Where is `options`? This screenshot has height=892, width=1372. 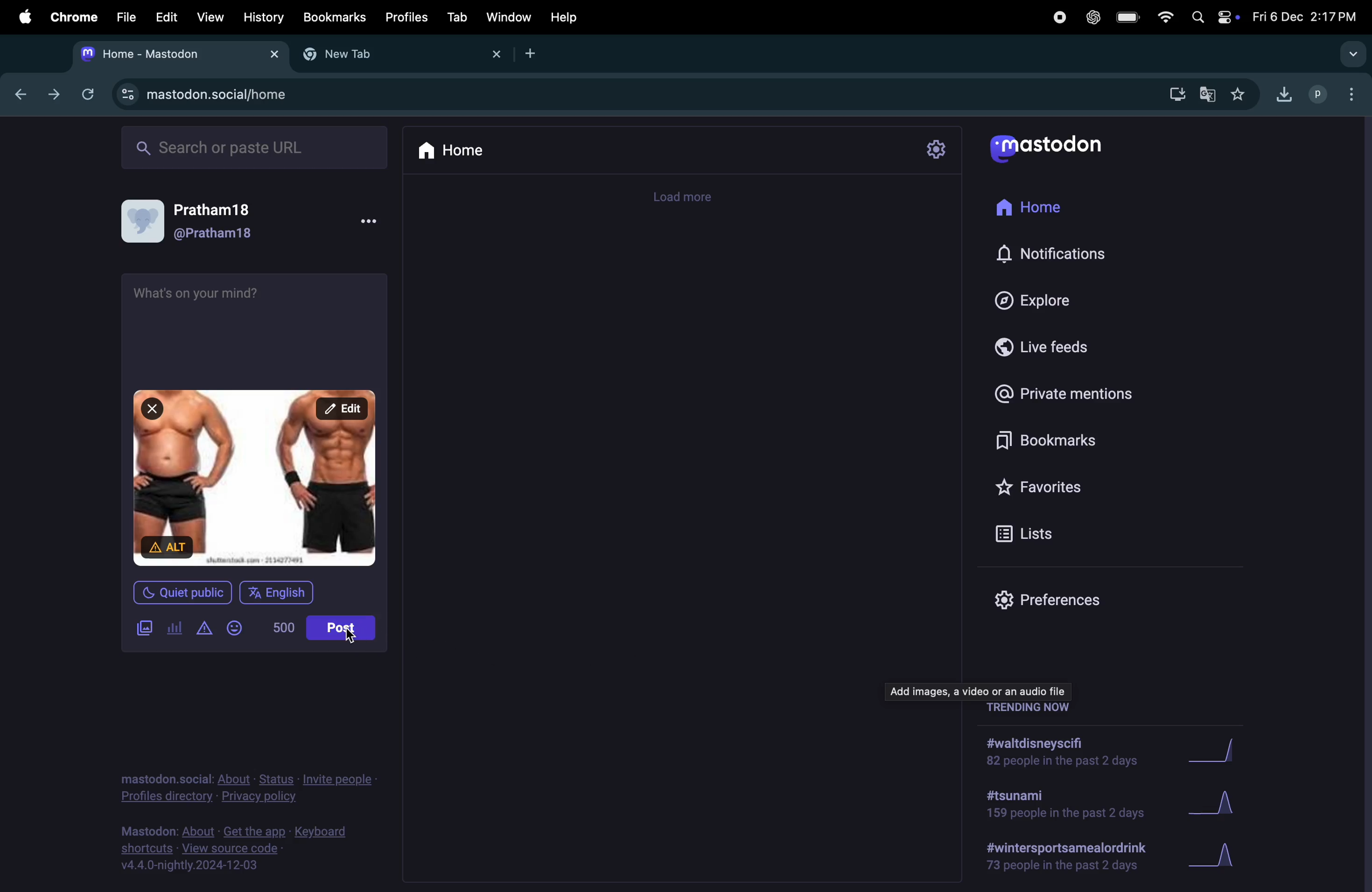 options is located at coordinates (1356, 97).